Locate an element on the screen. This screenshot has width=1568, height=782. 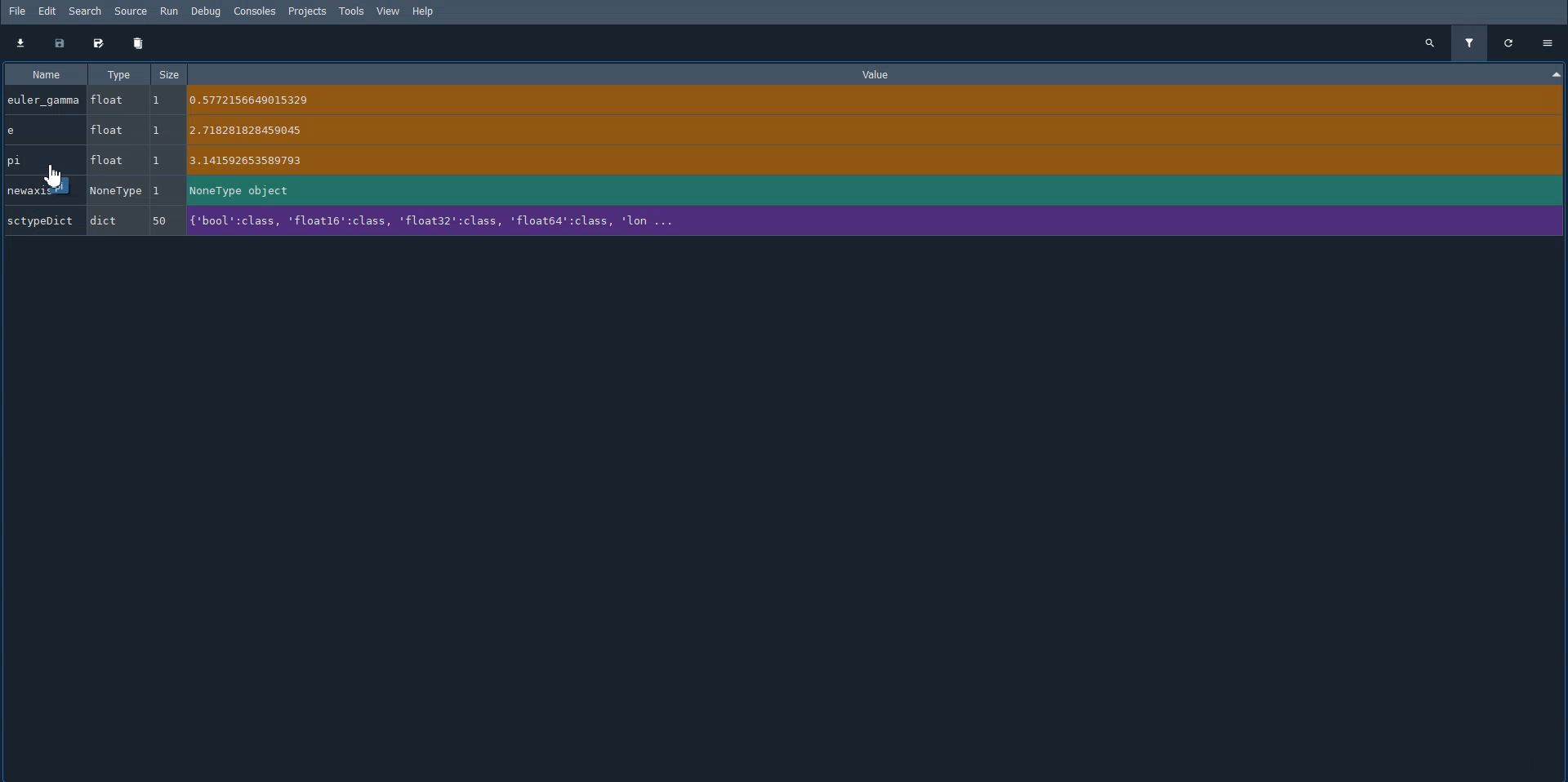
Cursor is located at coordinates (53, 176).